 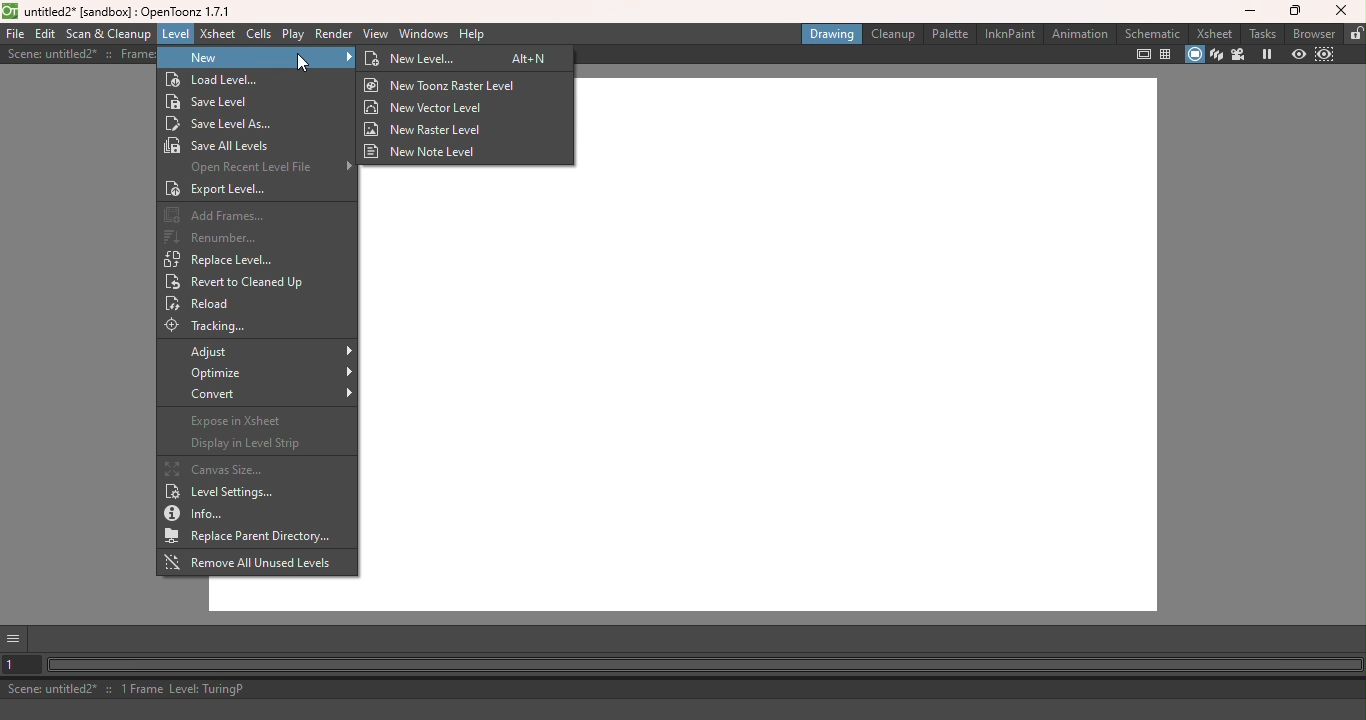 What do you see at coordinates (376, 35) in the screenshot?
I see `View` at bounding box center [376, 35].